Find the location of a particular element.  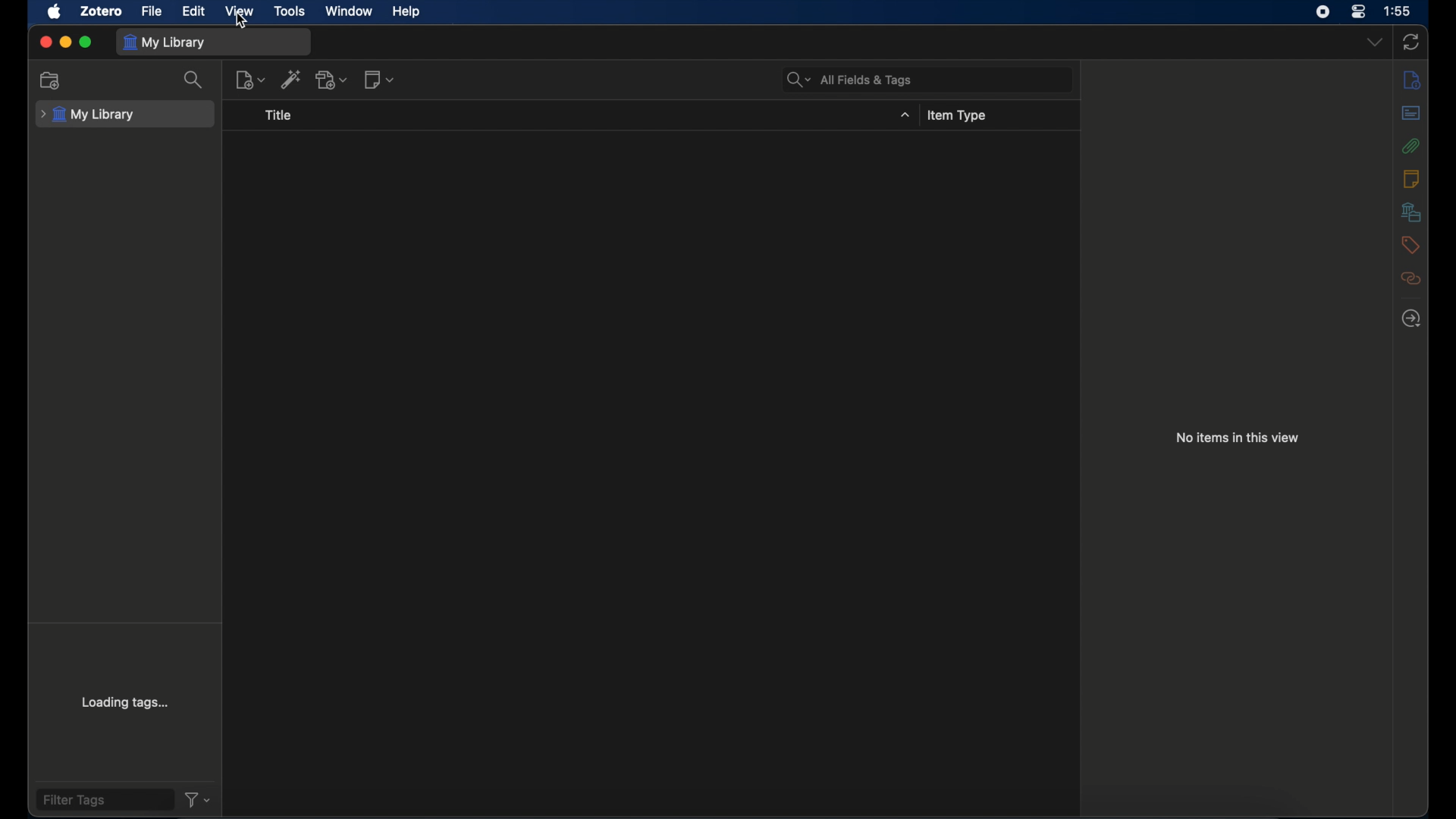

tags is located at coordinates (1409, 245).